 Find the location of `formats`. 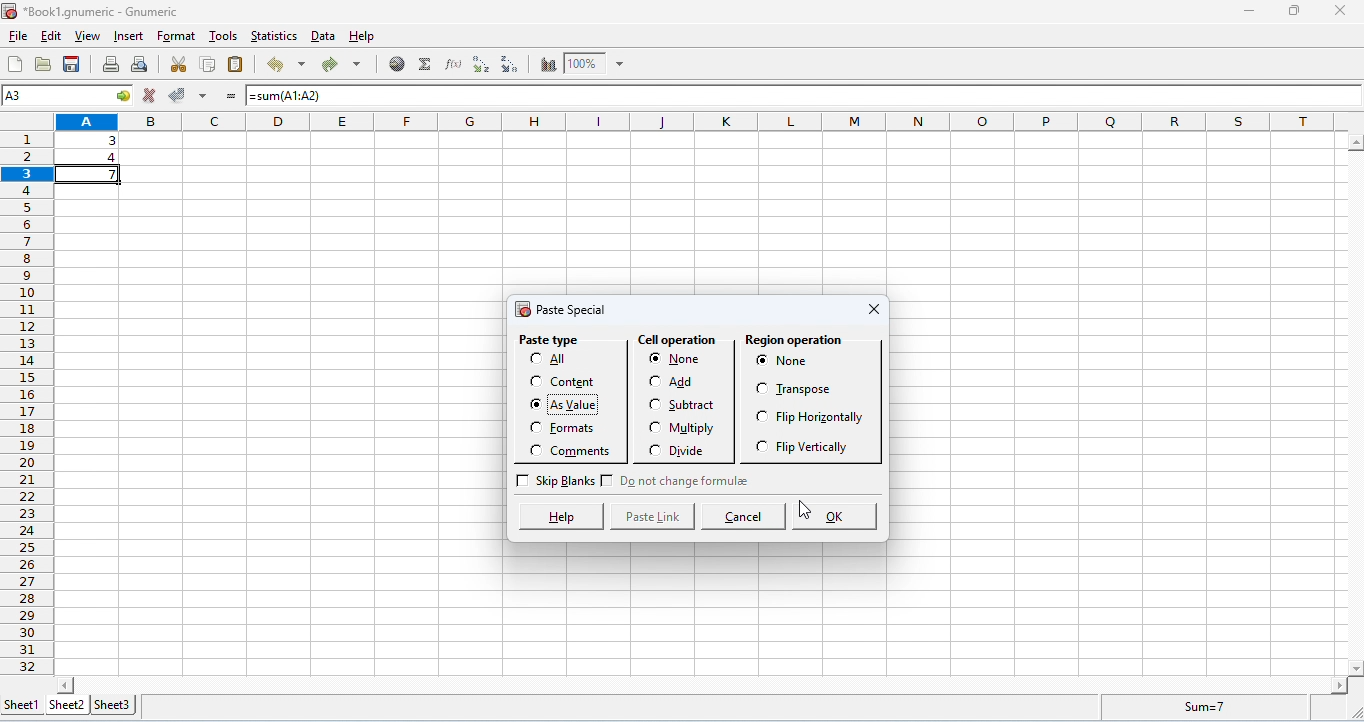

formats is located at coordinates (580, 431).